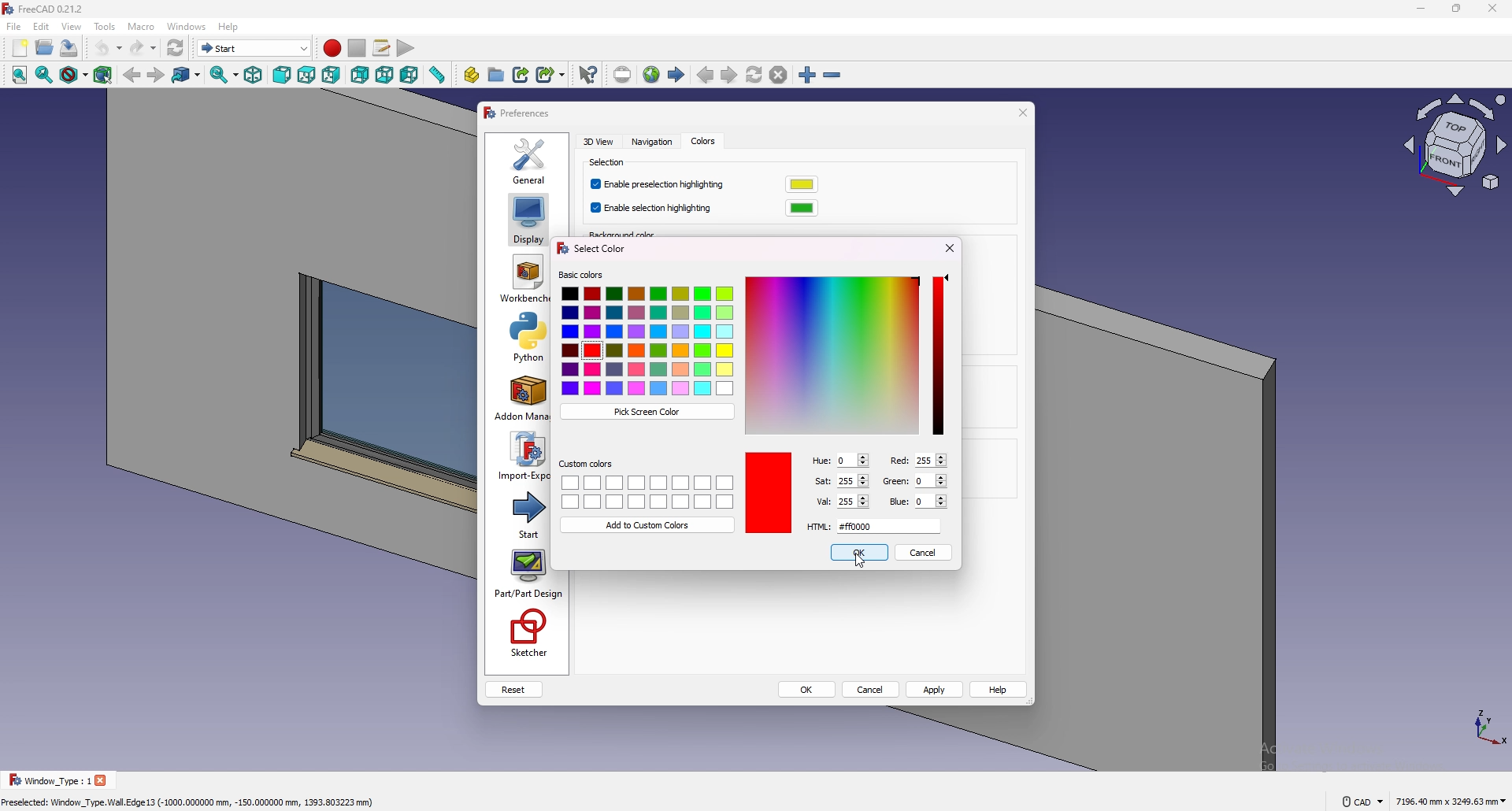 Image resolution: width=1512 pixels, height=811 pixels. Describe the element at coordinates (951, 246) in the screenshot. I see `exit` at that location.